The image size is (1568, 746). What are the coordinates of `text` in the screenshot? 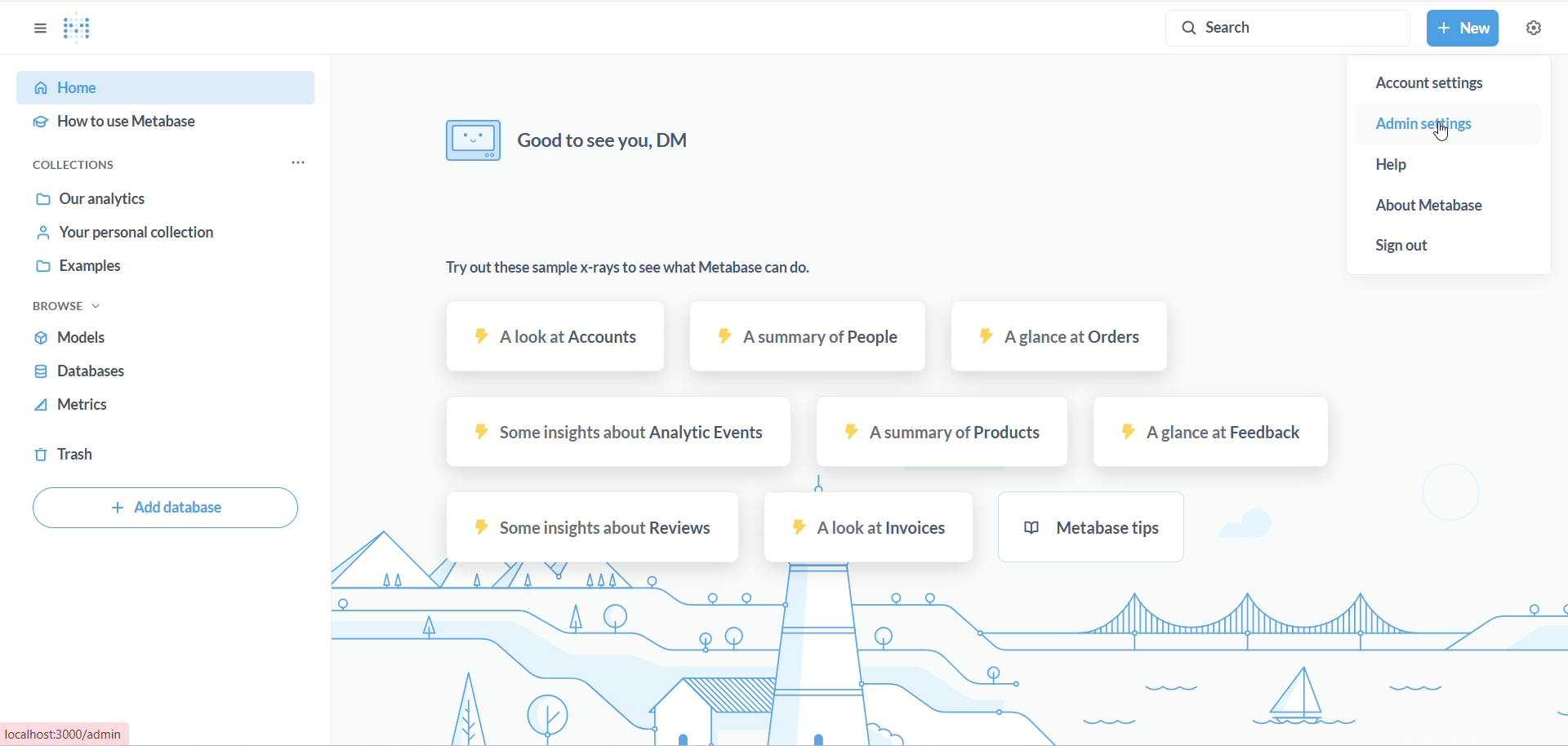 It's located at (589, 144).